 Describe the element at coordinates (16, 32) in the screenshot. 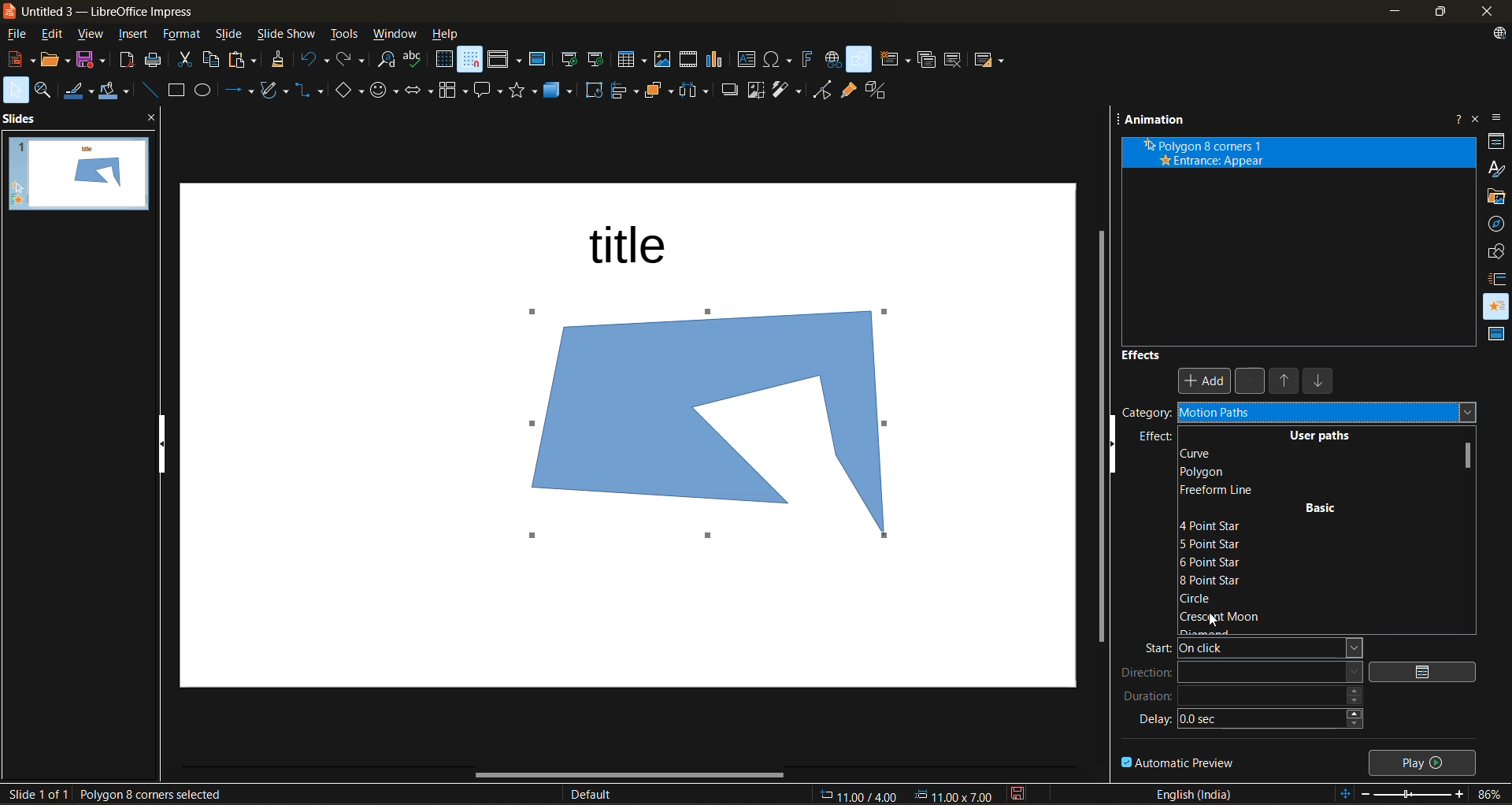

I see `file` at that location.